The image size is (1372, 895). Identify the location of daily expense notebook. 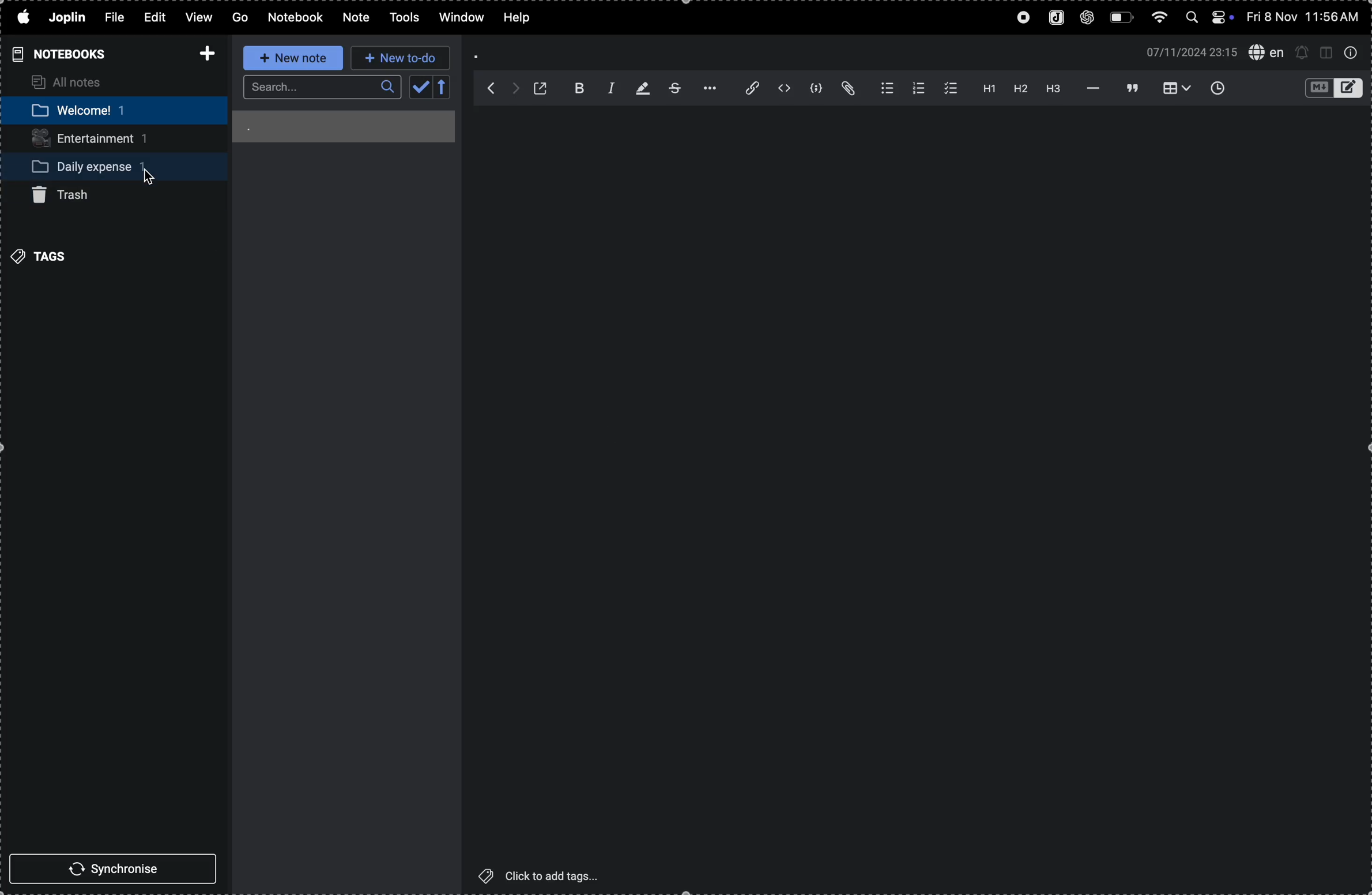
(105, 166).